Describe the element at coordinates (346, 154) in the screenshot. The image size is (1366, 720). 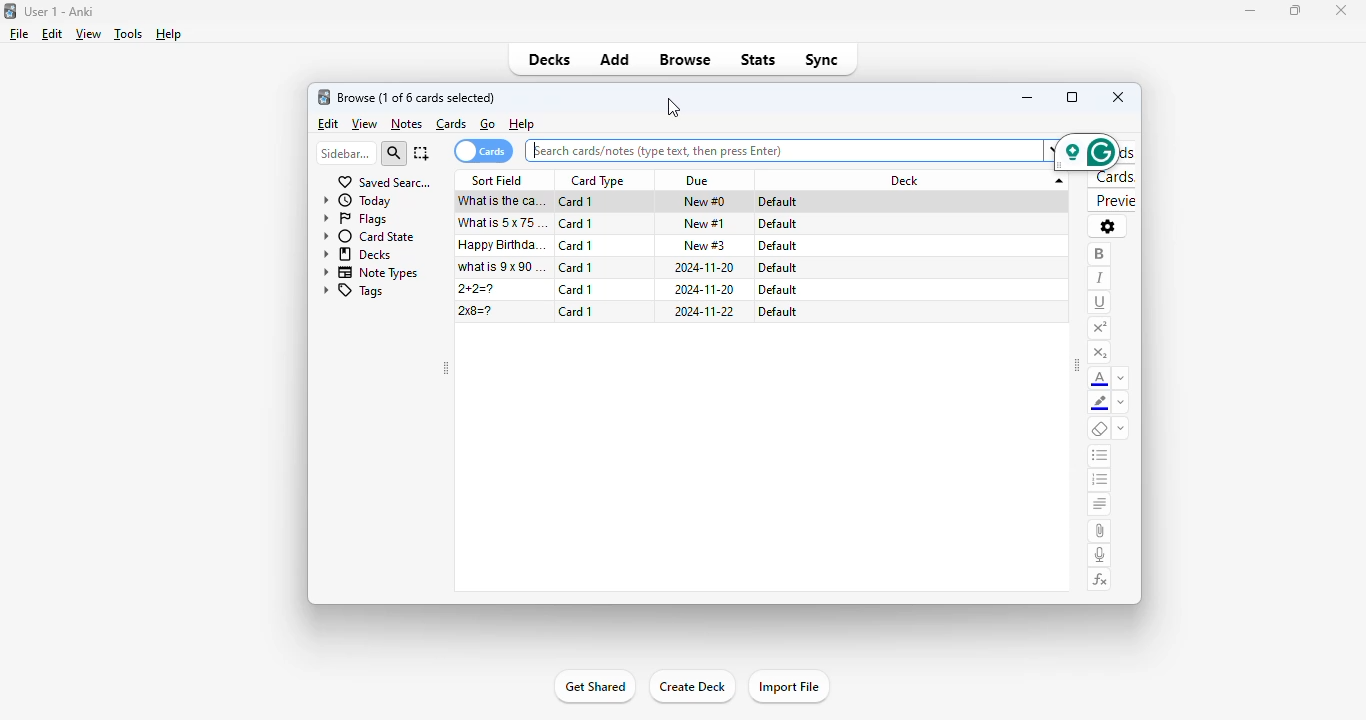
I see `sidebar filter` at that location.